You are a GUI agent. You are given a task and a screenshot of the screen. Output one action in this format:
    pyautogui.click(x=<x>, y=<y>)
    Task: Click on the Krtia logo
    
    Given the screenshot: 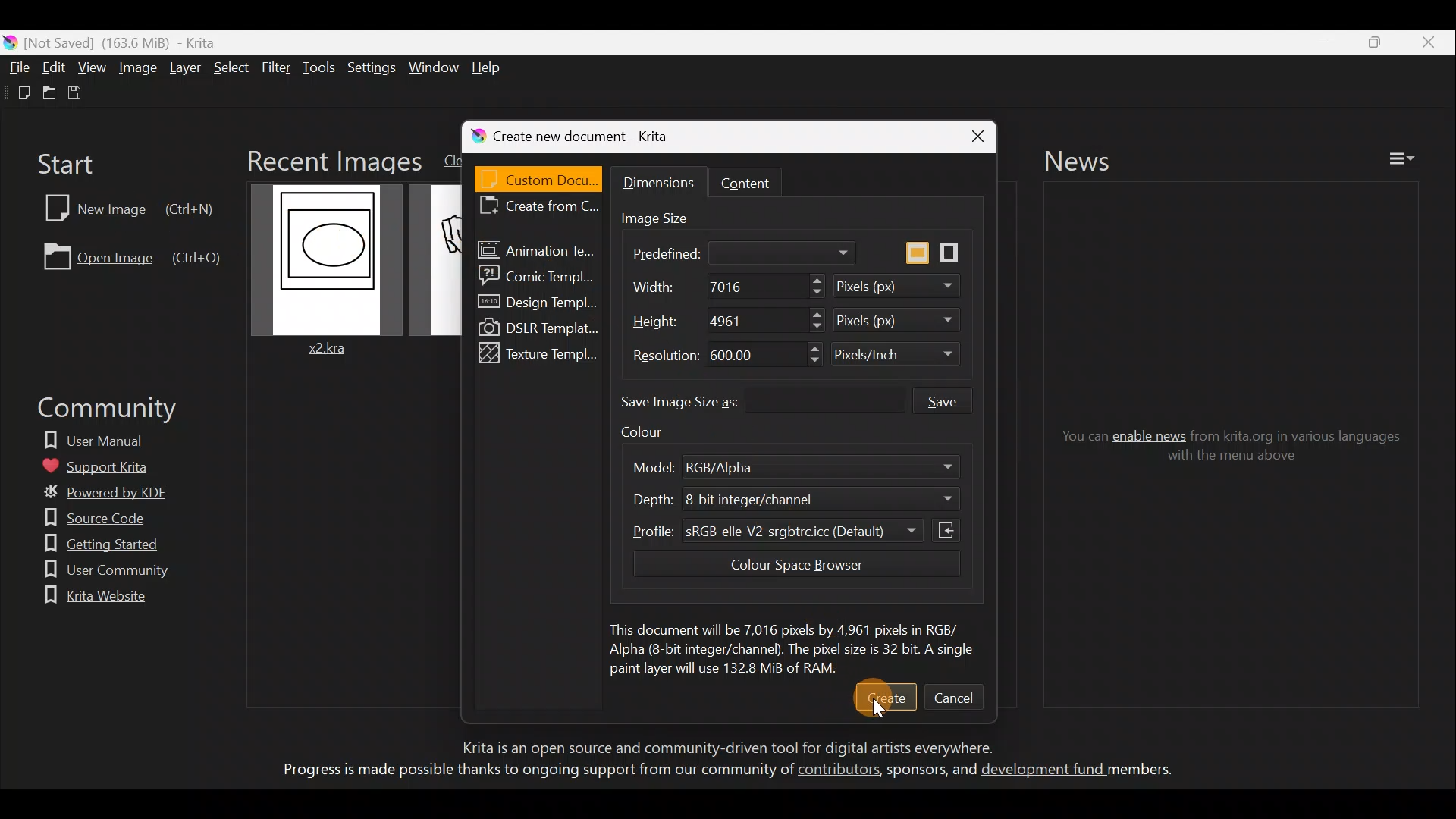 What is the action you would take?
    pyautogui.click(x=9, y=42)
    